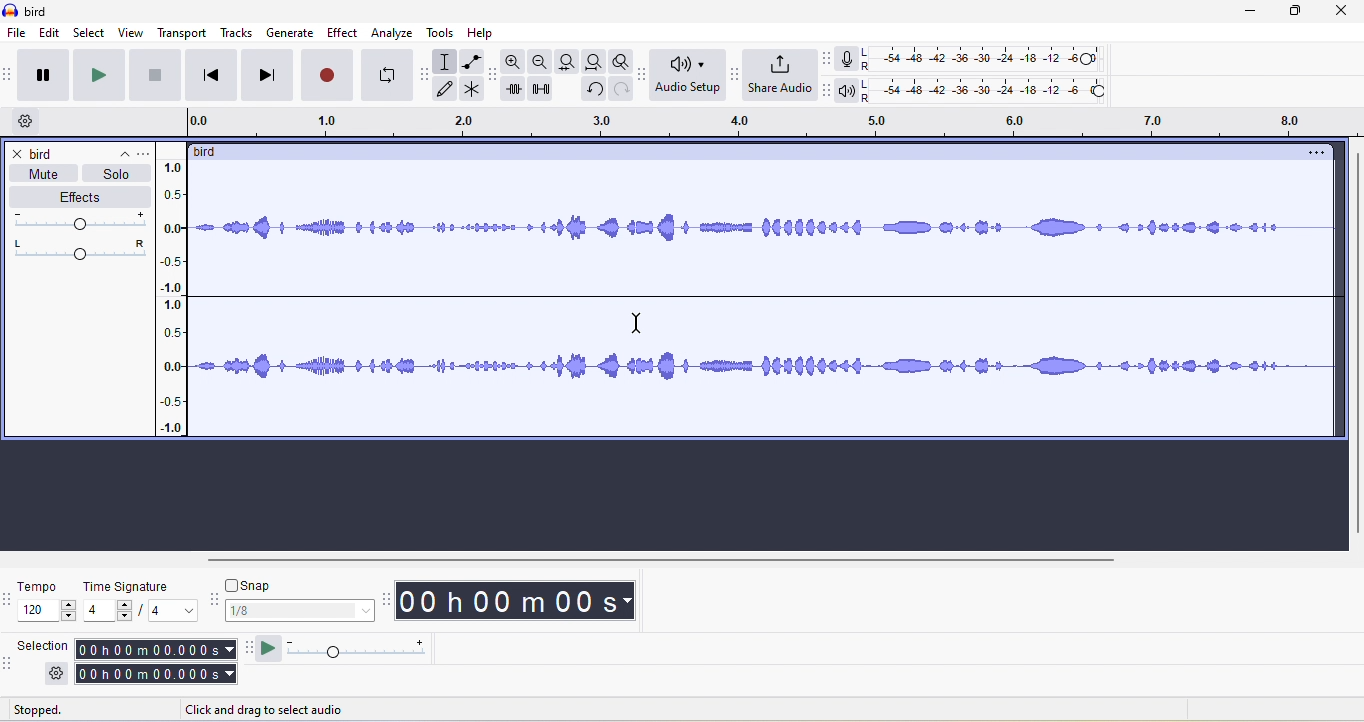  Describe the element at coordinates (444, 35) in the screenshot. I see `tools` at that location.